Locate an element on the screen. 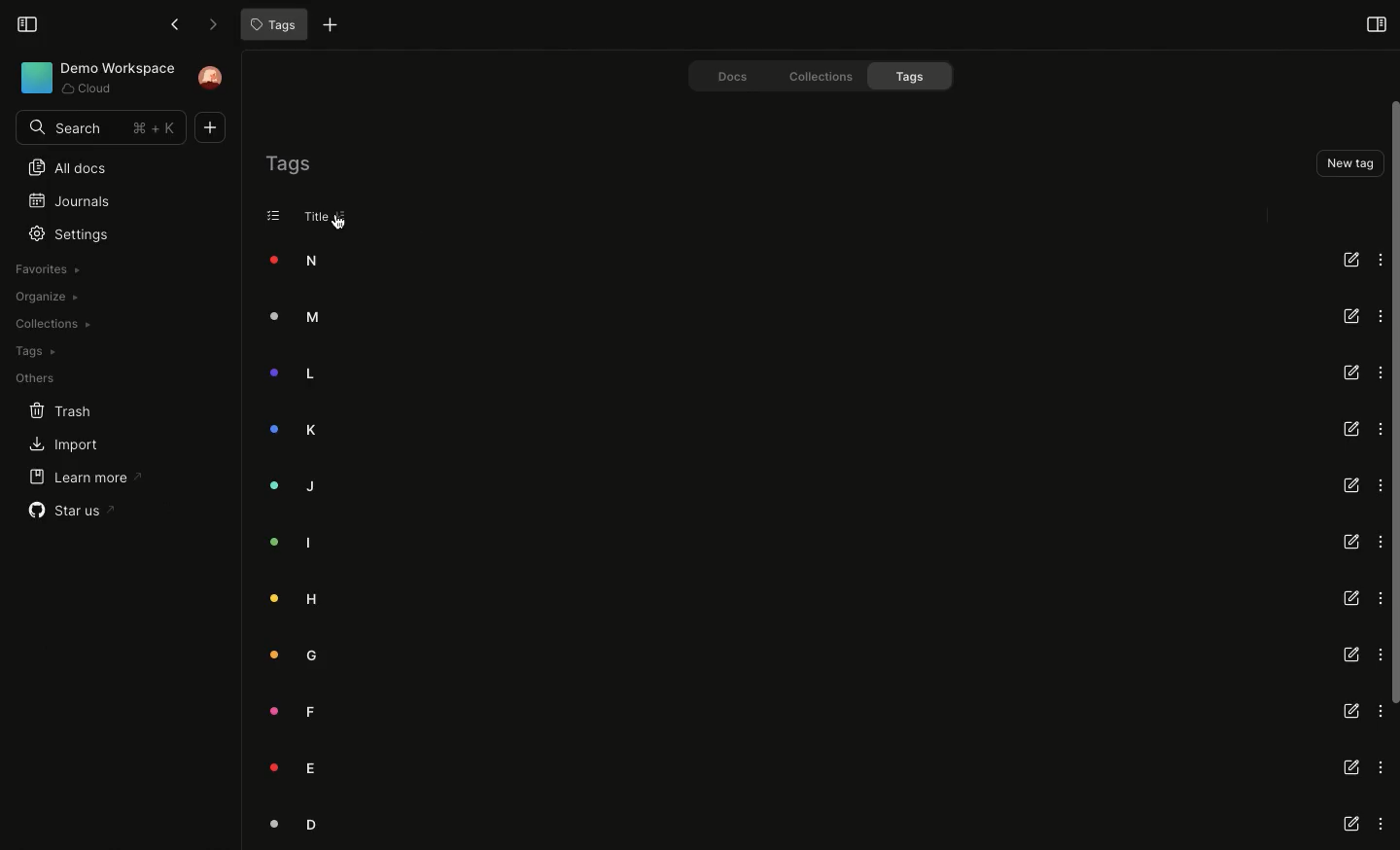  Options is located at coordinates (1379, 599).